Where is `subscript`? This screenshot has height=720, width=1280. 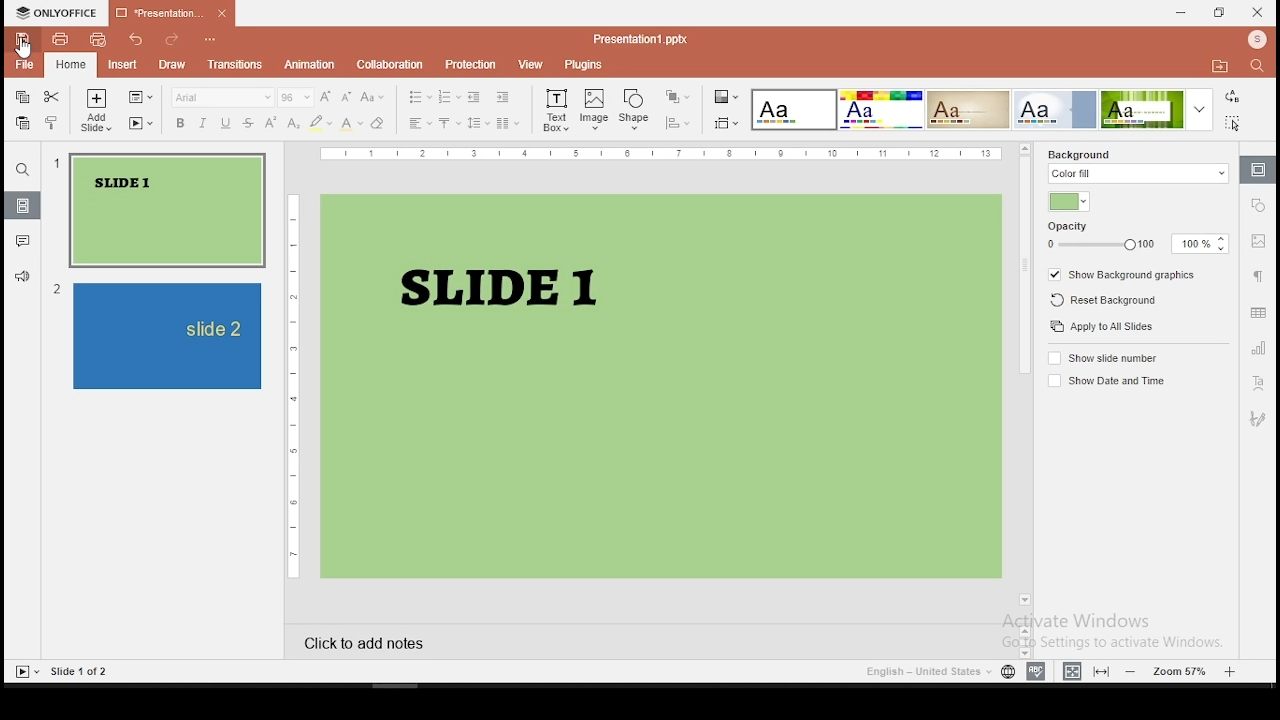 subscript is located at coordinates (294, 123).